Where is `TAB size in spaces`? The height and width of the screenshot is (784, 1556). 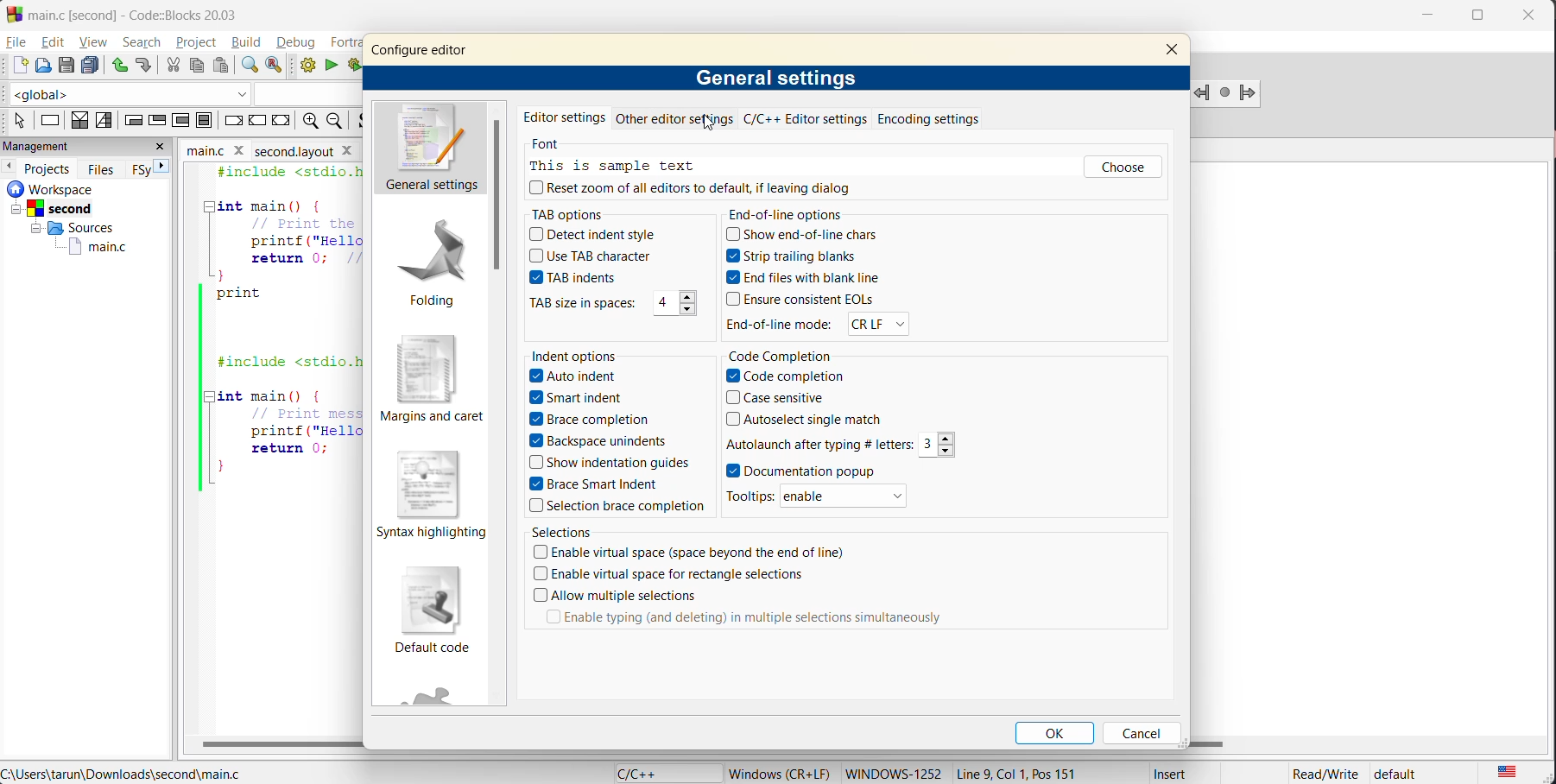
TAB size in spaces is located at coordinates (585, 304).